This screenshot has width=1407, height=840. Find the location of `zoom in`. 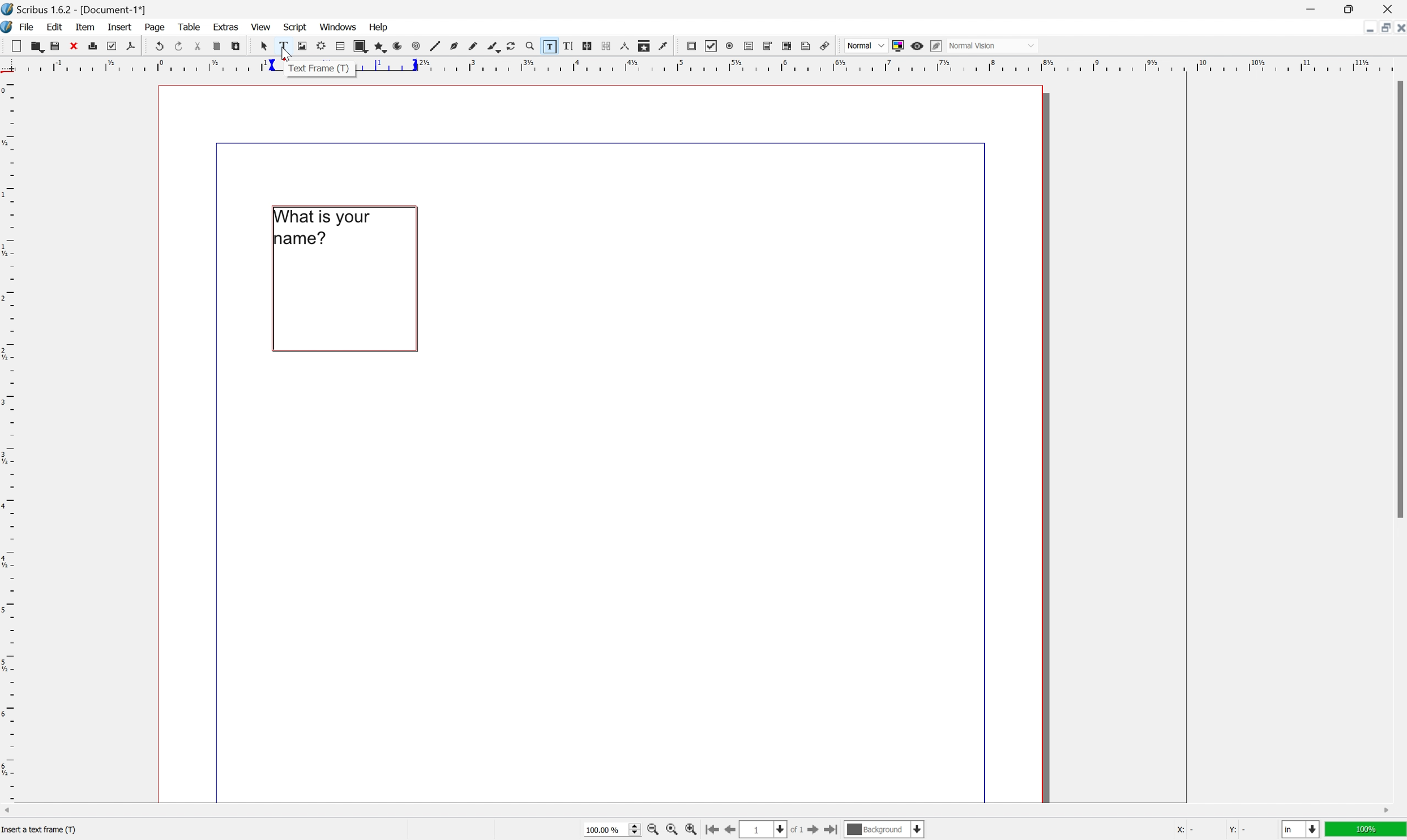

zoom in is located at coordinates (653, 831).